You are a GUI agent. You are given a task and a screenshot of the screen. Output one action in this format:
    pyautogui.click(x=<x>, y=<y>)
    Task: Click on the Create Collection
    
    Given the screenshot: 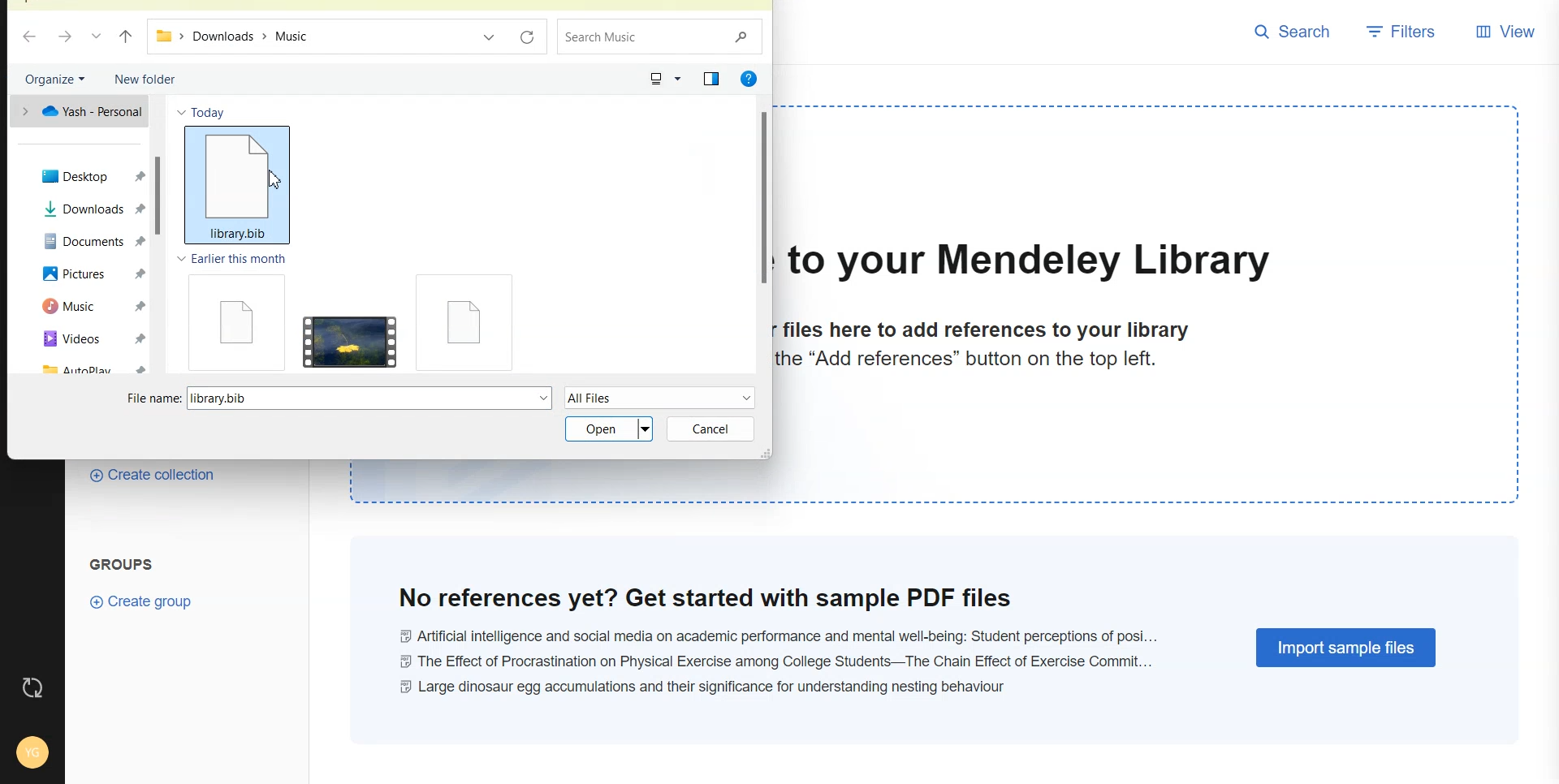 What is the action you would take?
    pyautogui.click(x=205, y=485)
    